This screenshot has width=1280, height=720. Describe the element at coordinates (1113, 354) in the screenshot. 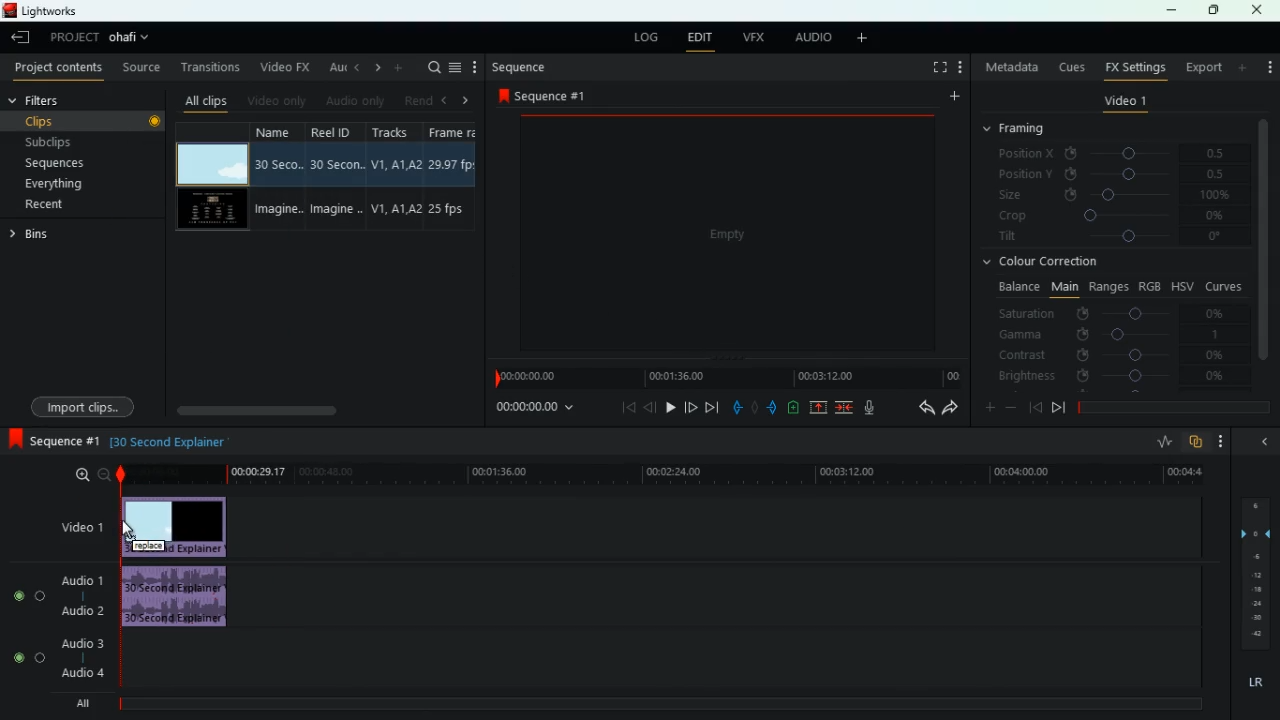

I see `contrast` at that location.